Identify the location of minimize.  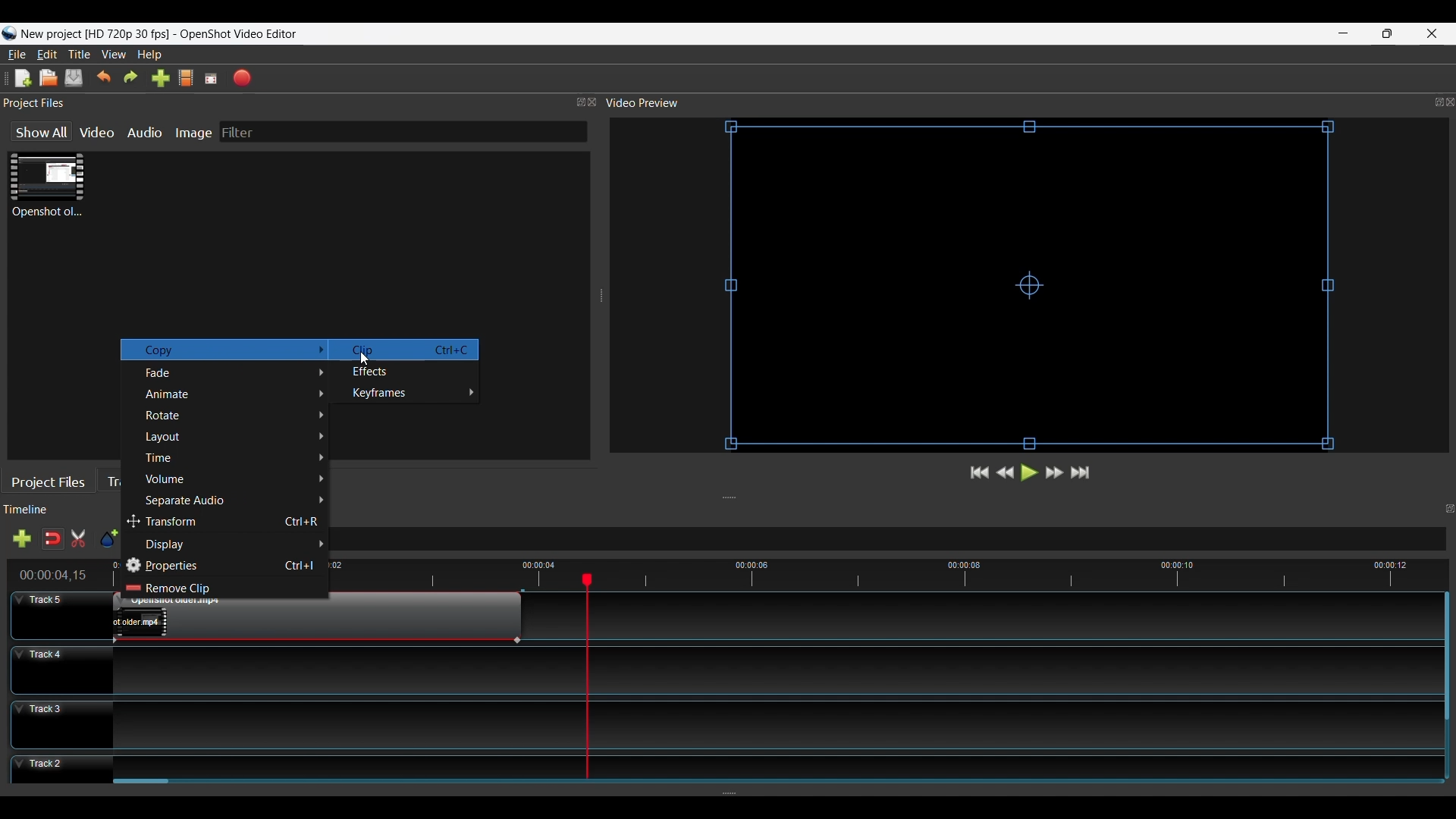
(1344, 33).